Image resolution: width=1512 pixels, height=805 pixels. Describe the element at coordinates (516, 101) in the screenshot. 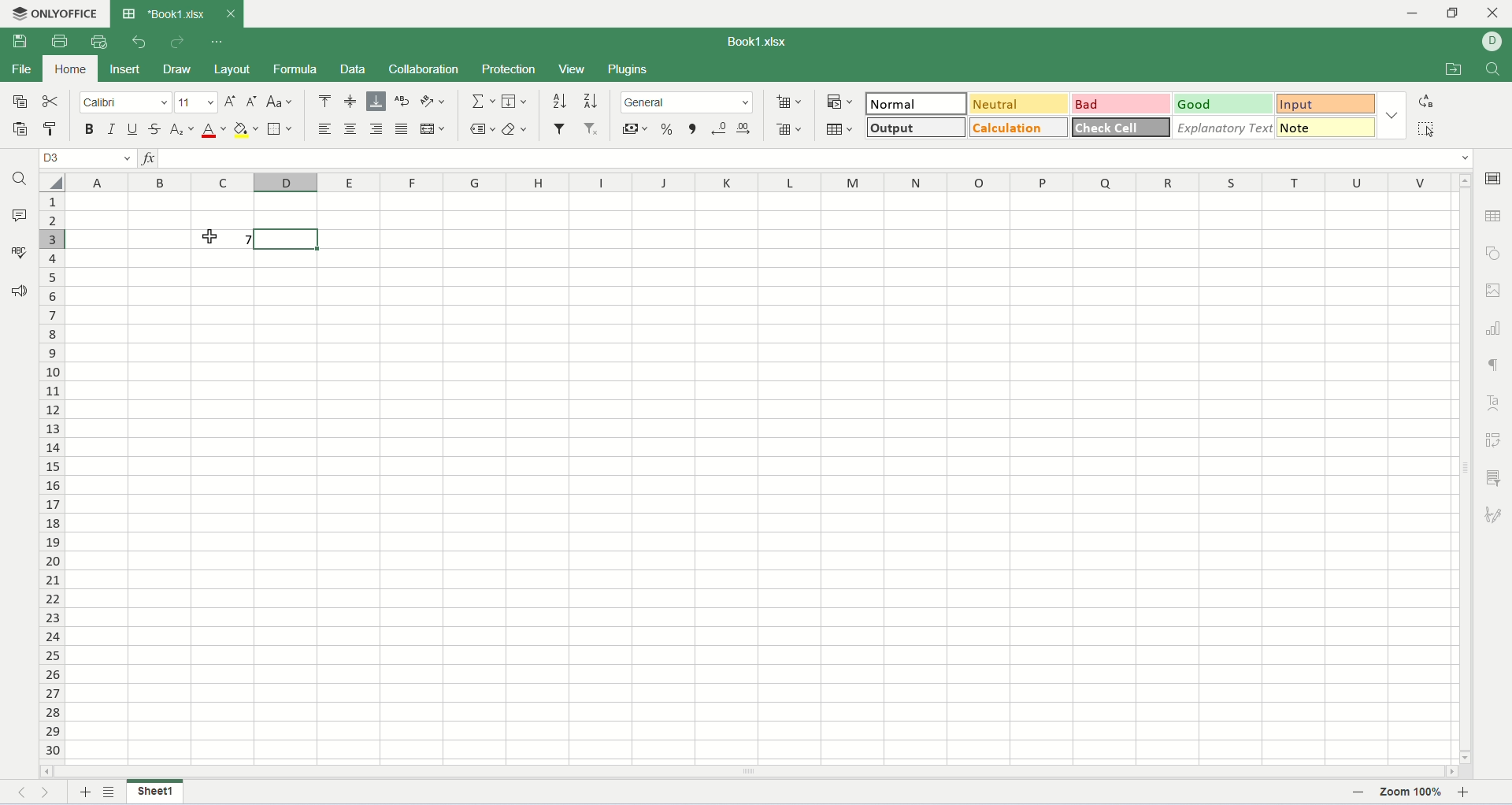

I see `fill` at that location.